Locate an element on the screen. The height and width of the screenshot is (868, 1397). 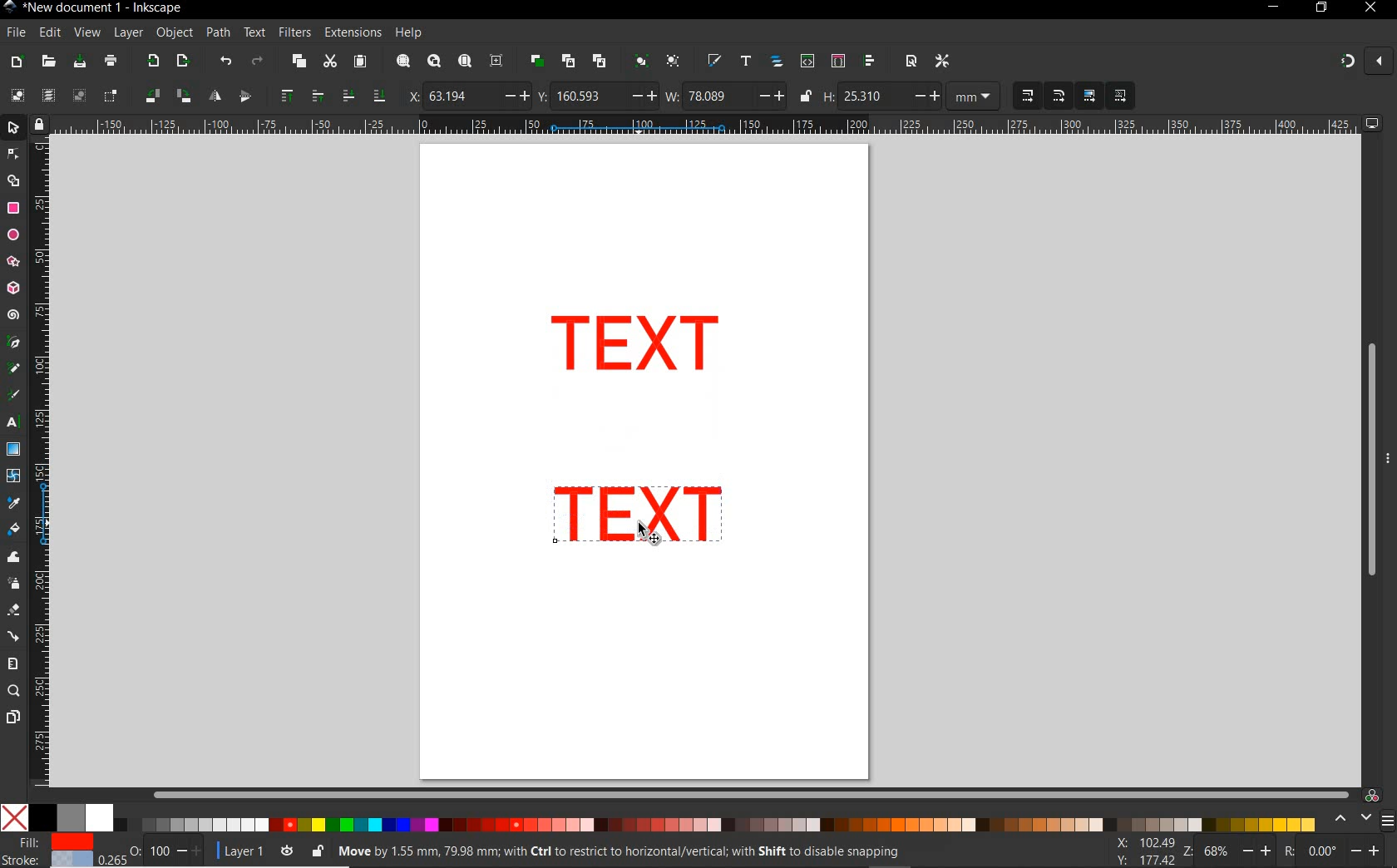
ruler is located at coordinates (42, 466).